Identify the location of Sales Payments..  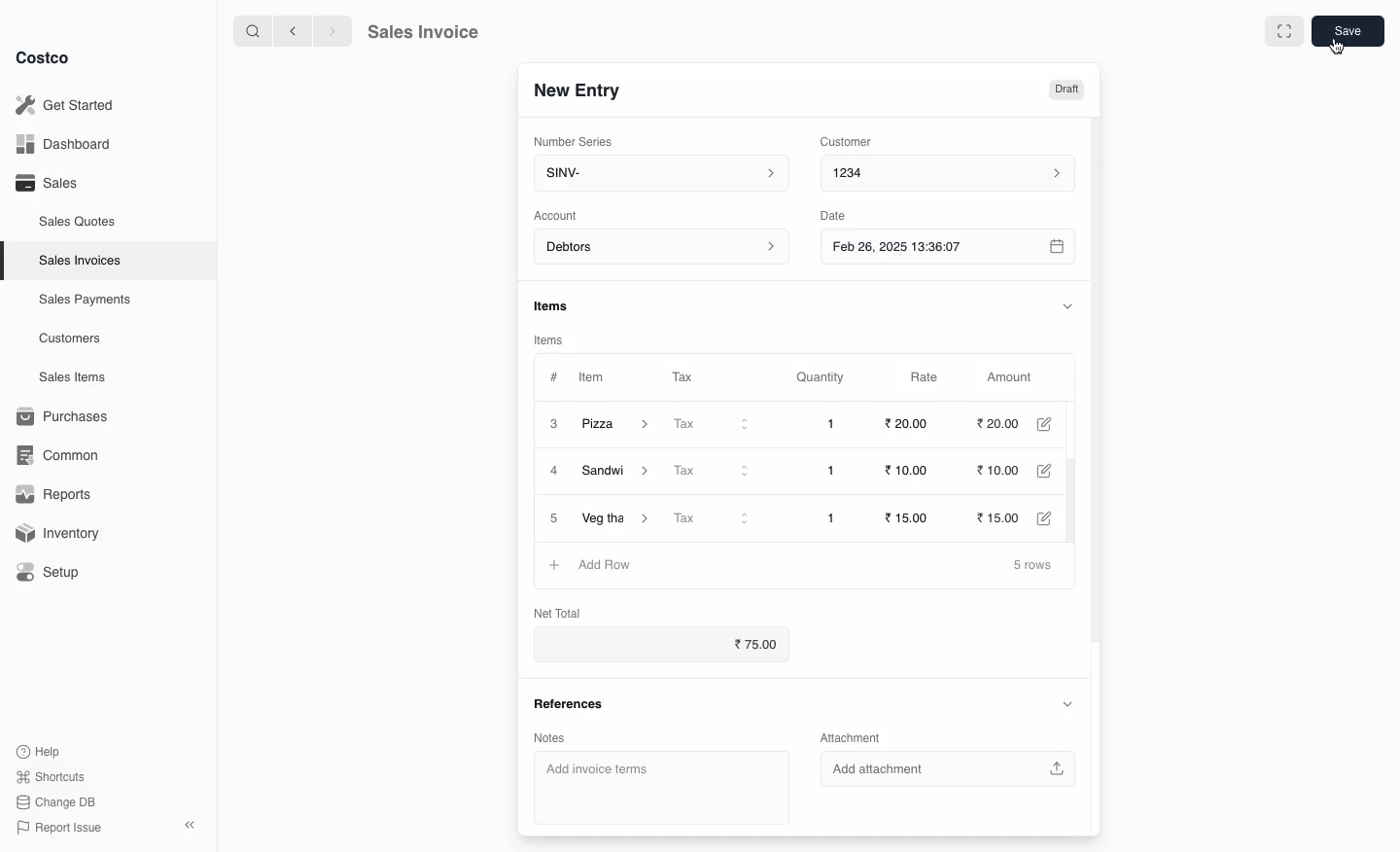
(87, 302).